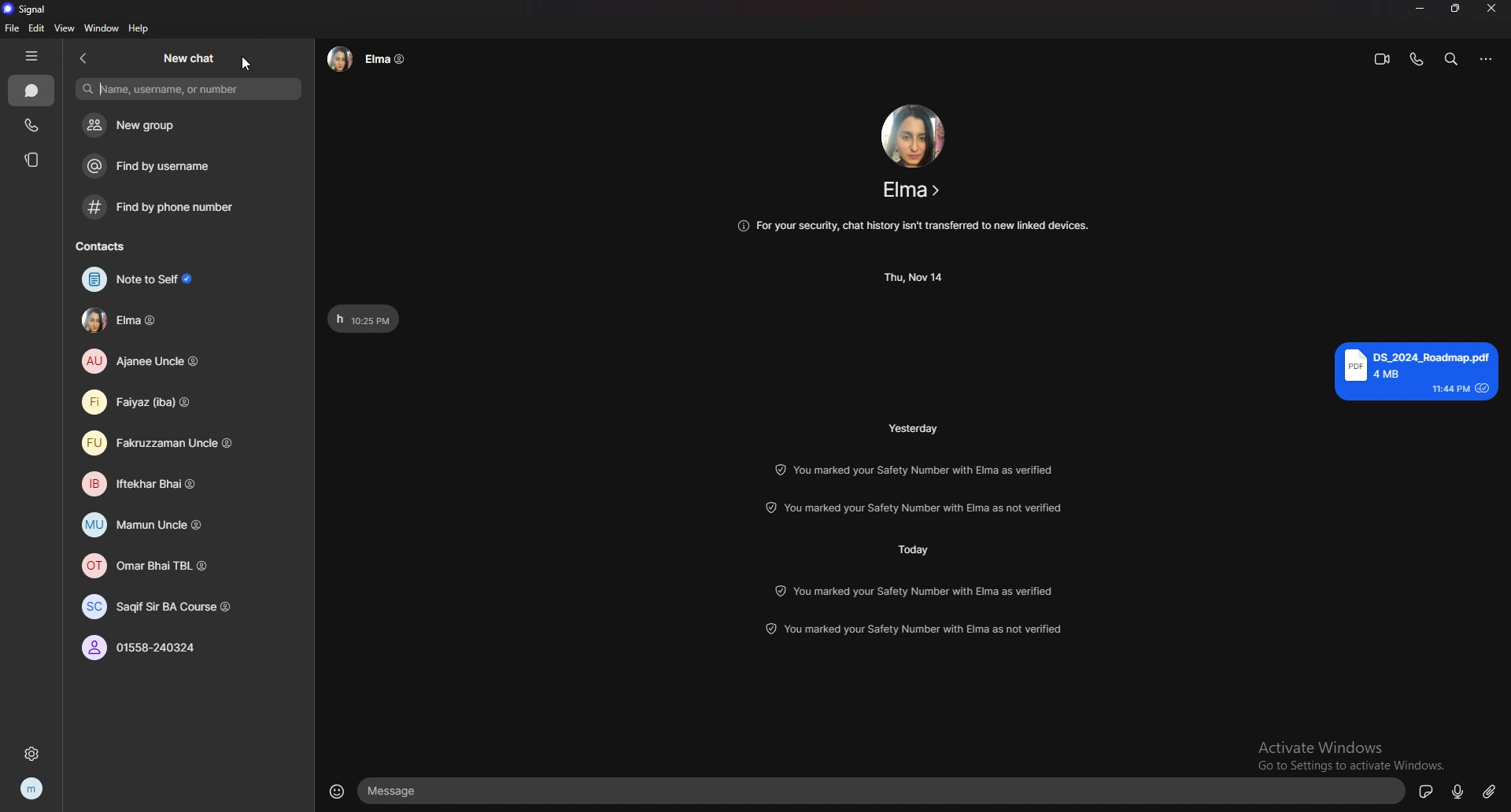  I want to click on contact, so click(162, 360).